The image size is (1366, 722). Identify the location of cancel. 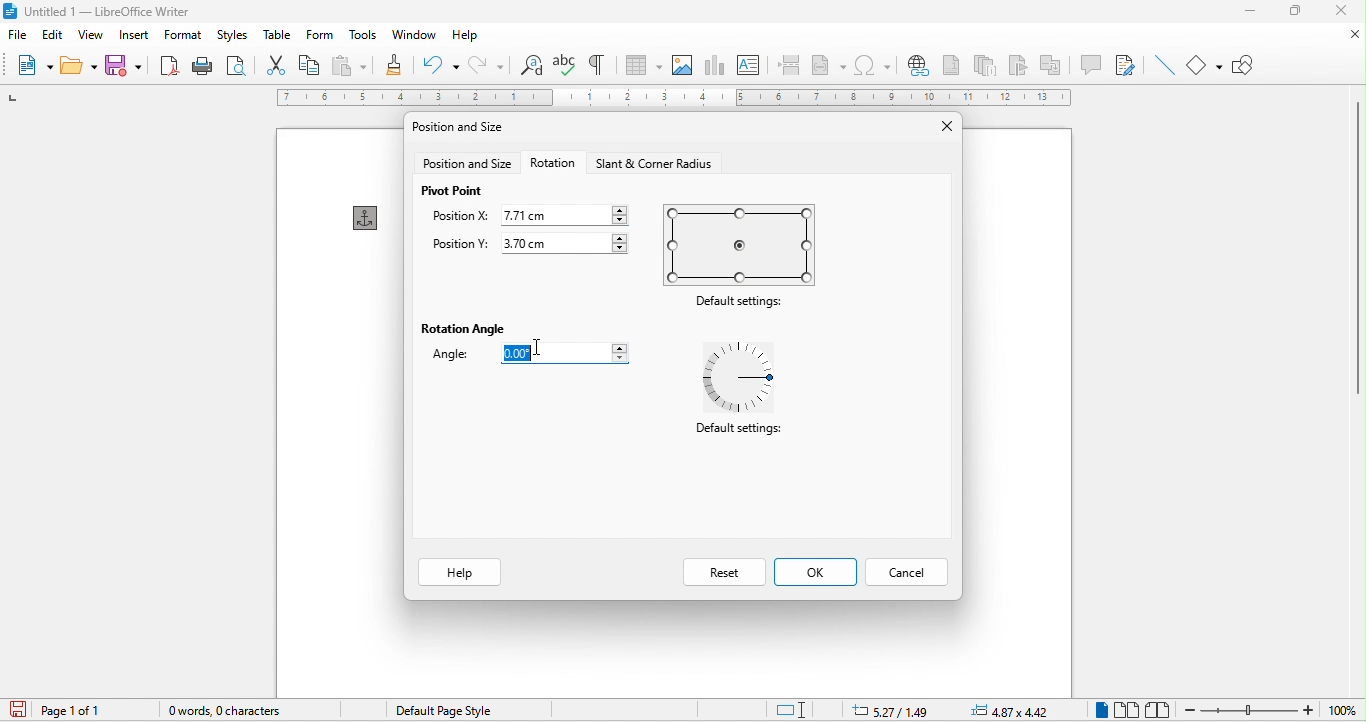
(904, 572).